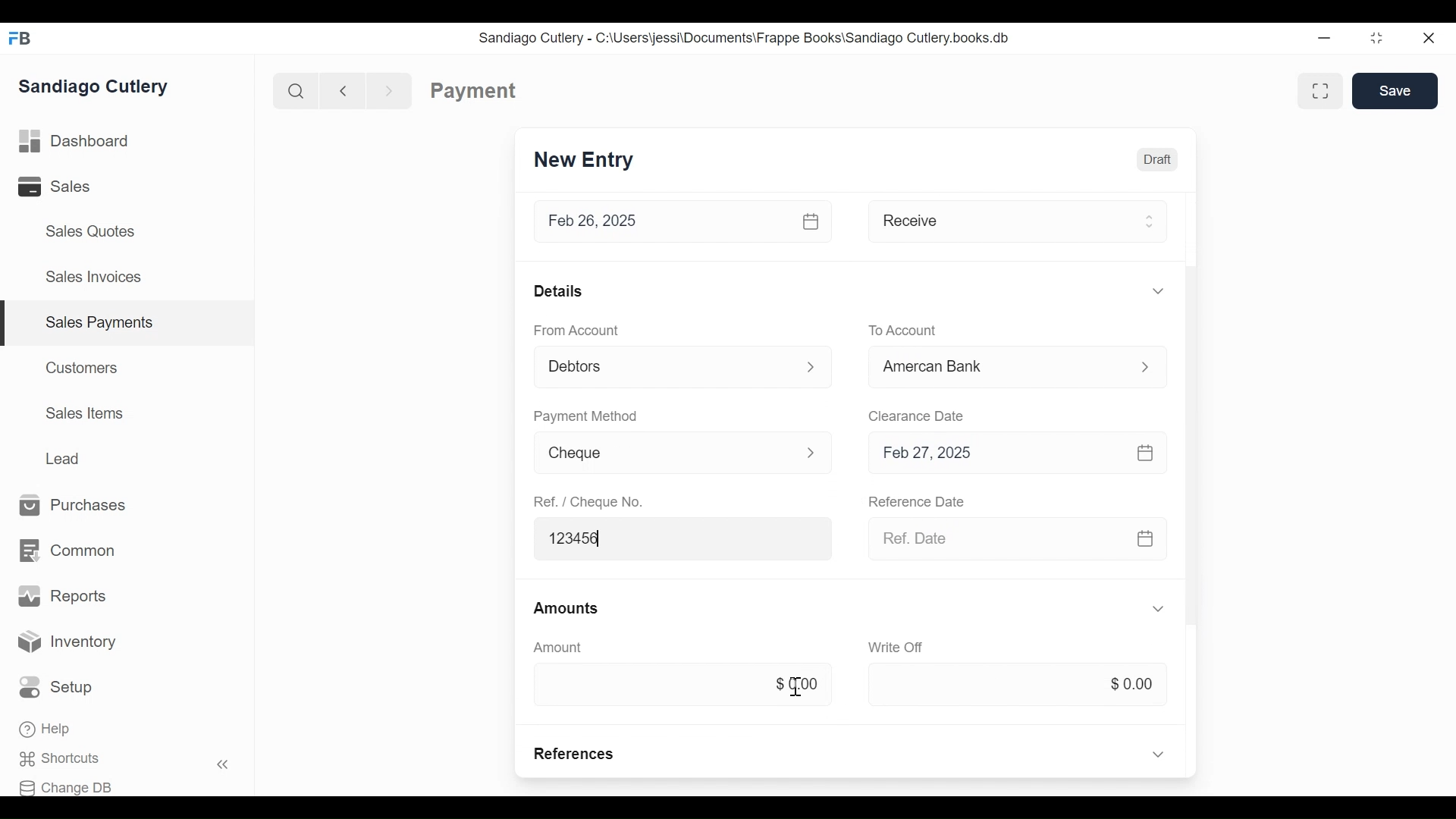  I want to click on Sales, so click(65, 187).